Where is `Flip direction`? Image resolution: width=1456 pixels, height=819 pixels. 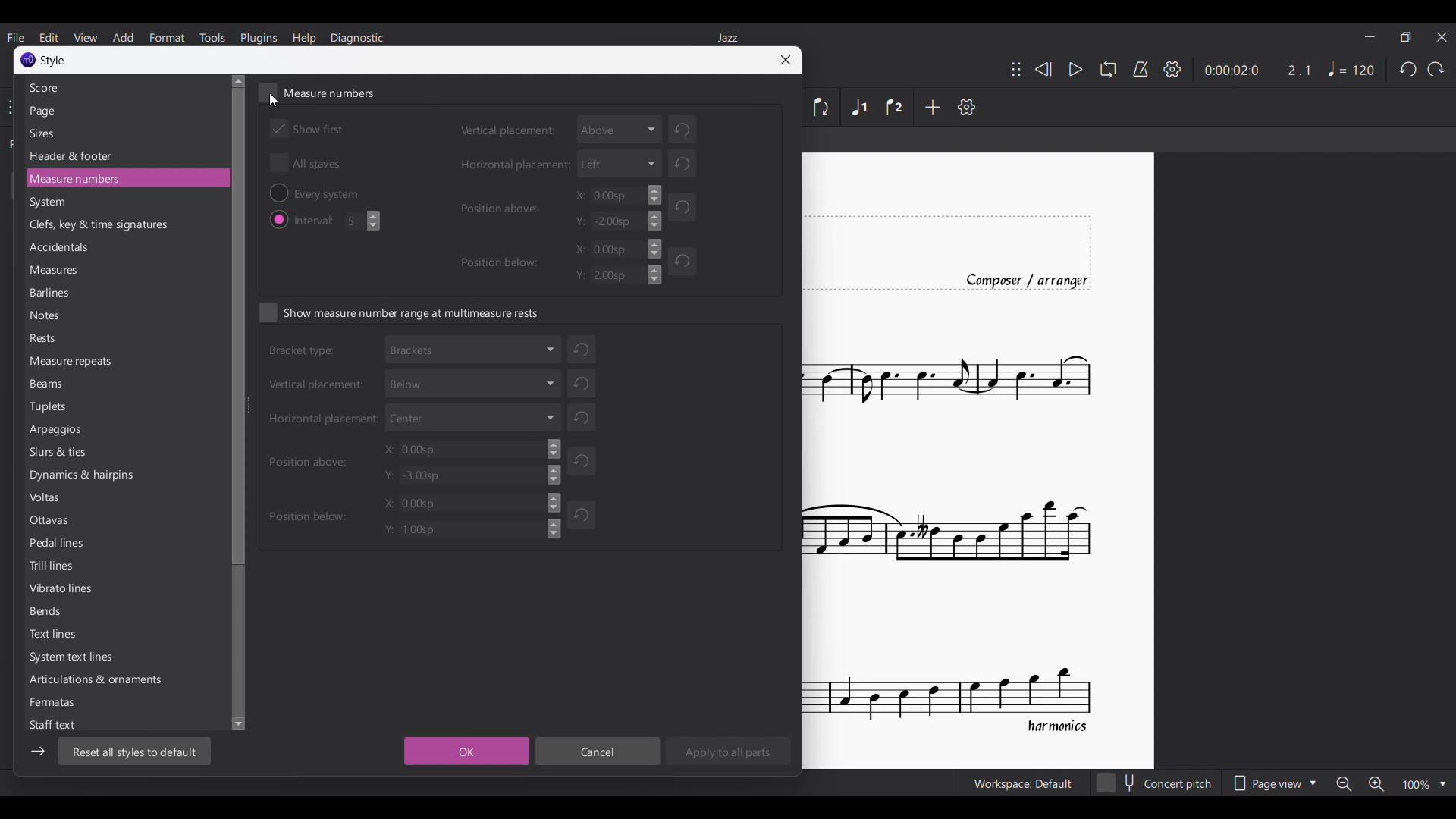 Flip direction is located at coordinates (824, 107).